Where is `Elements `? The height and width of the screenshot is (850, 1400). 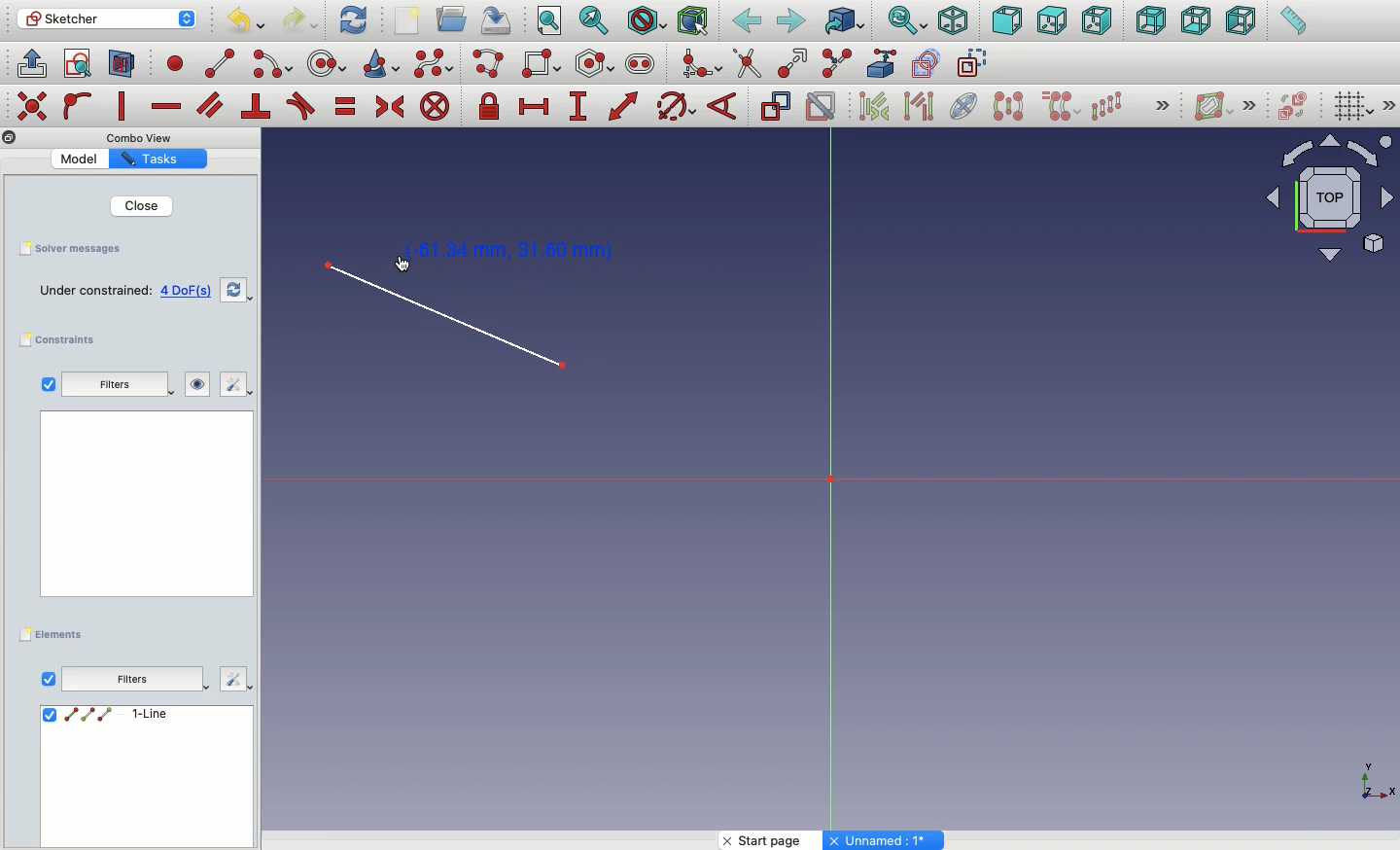 Elements  is located at coordinates (55, 633).